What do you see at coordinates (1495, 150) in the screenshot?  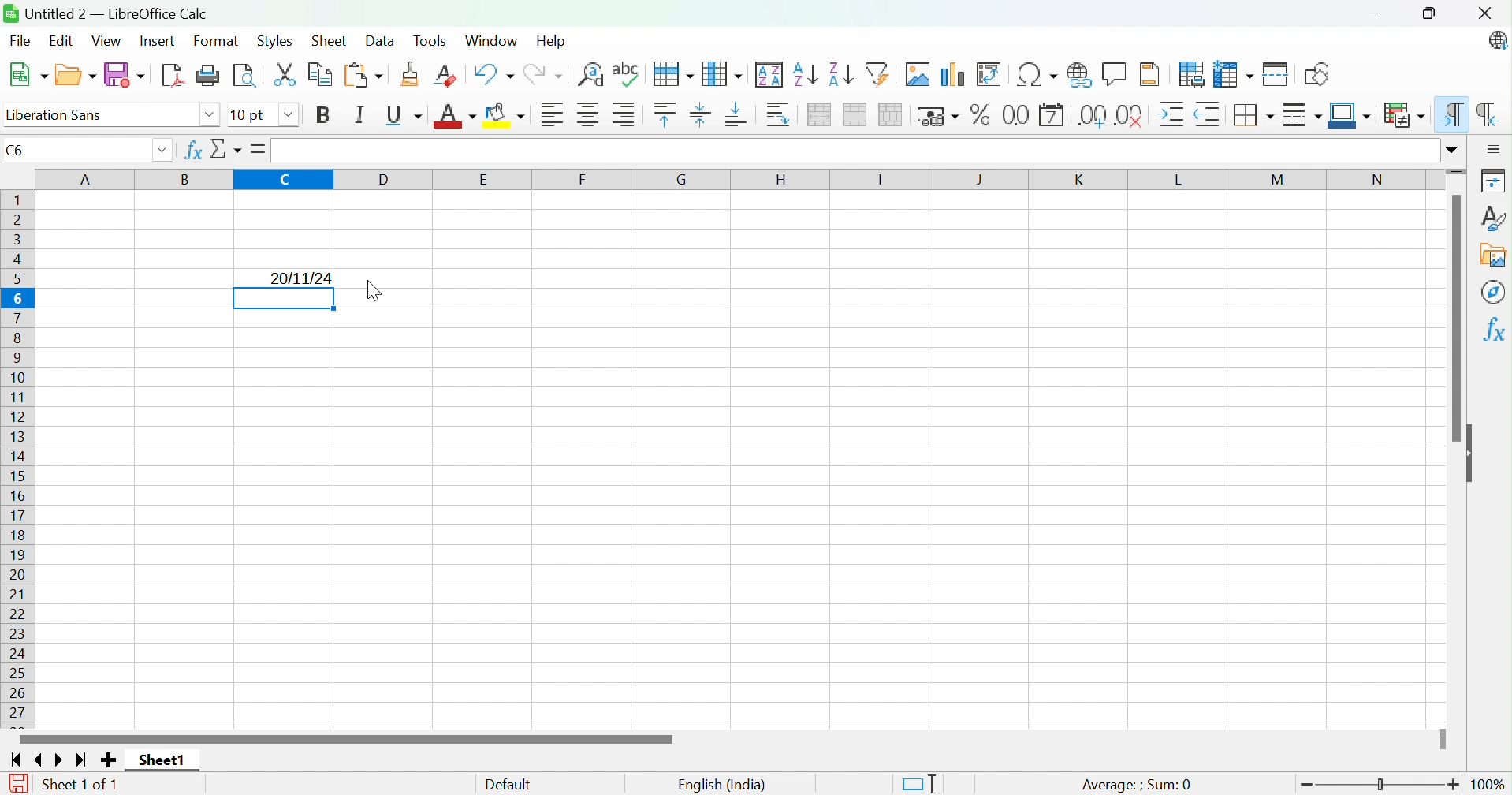 I see `Sidebar settings` at bounding box center [1495, 150].